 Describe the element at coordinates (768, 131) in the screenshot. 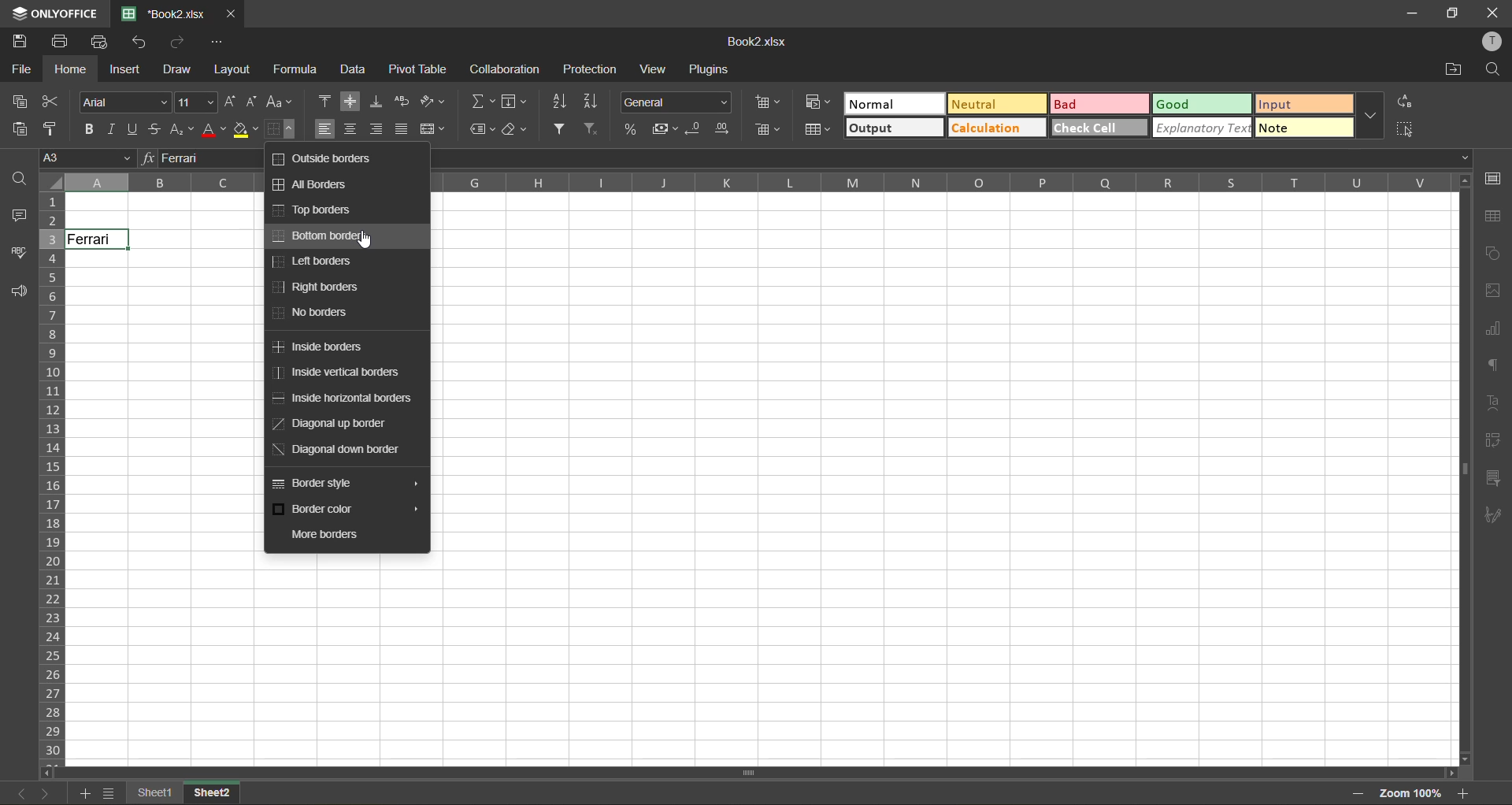

I see `delete cells` at that location.